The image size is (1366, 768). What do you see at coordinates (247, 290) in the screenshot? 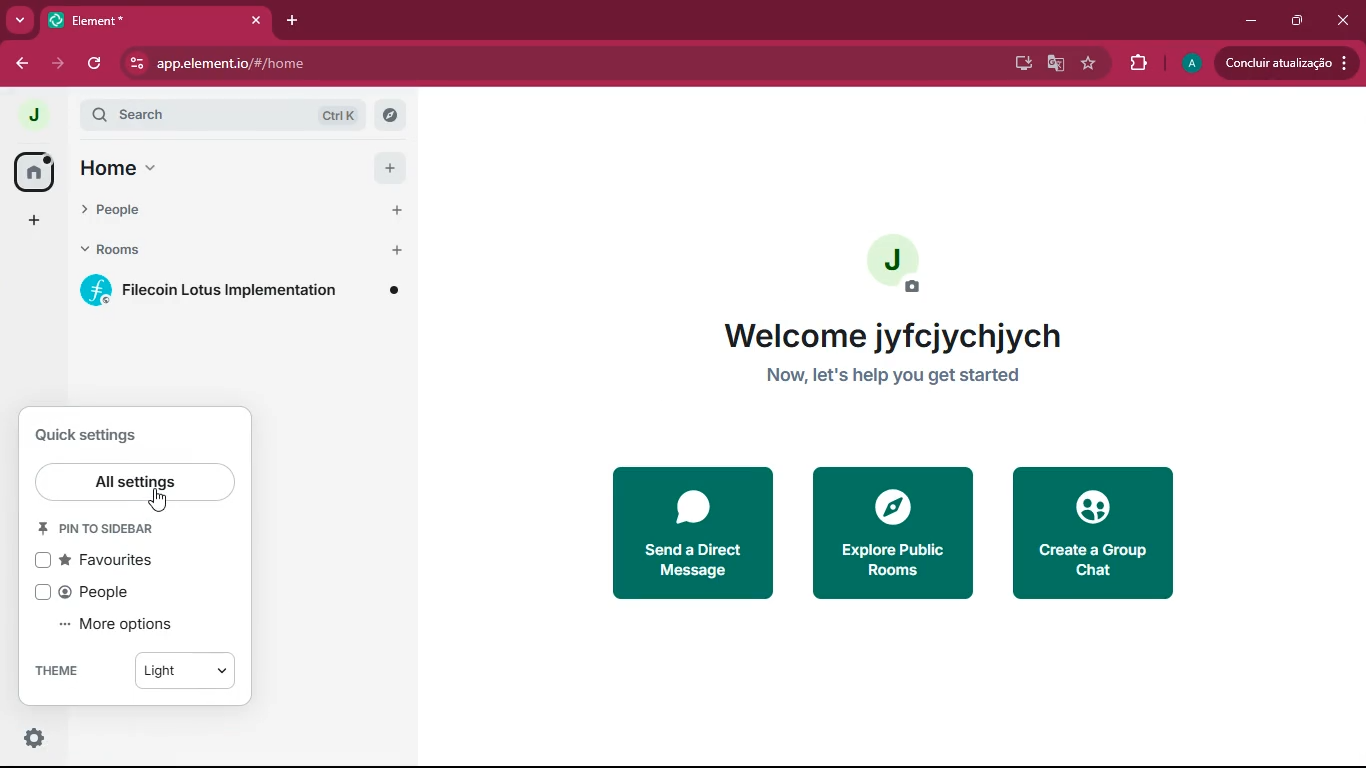
I see `filecoin lotus implementation ` at bounding box center [247, 290].